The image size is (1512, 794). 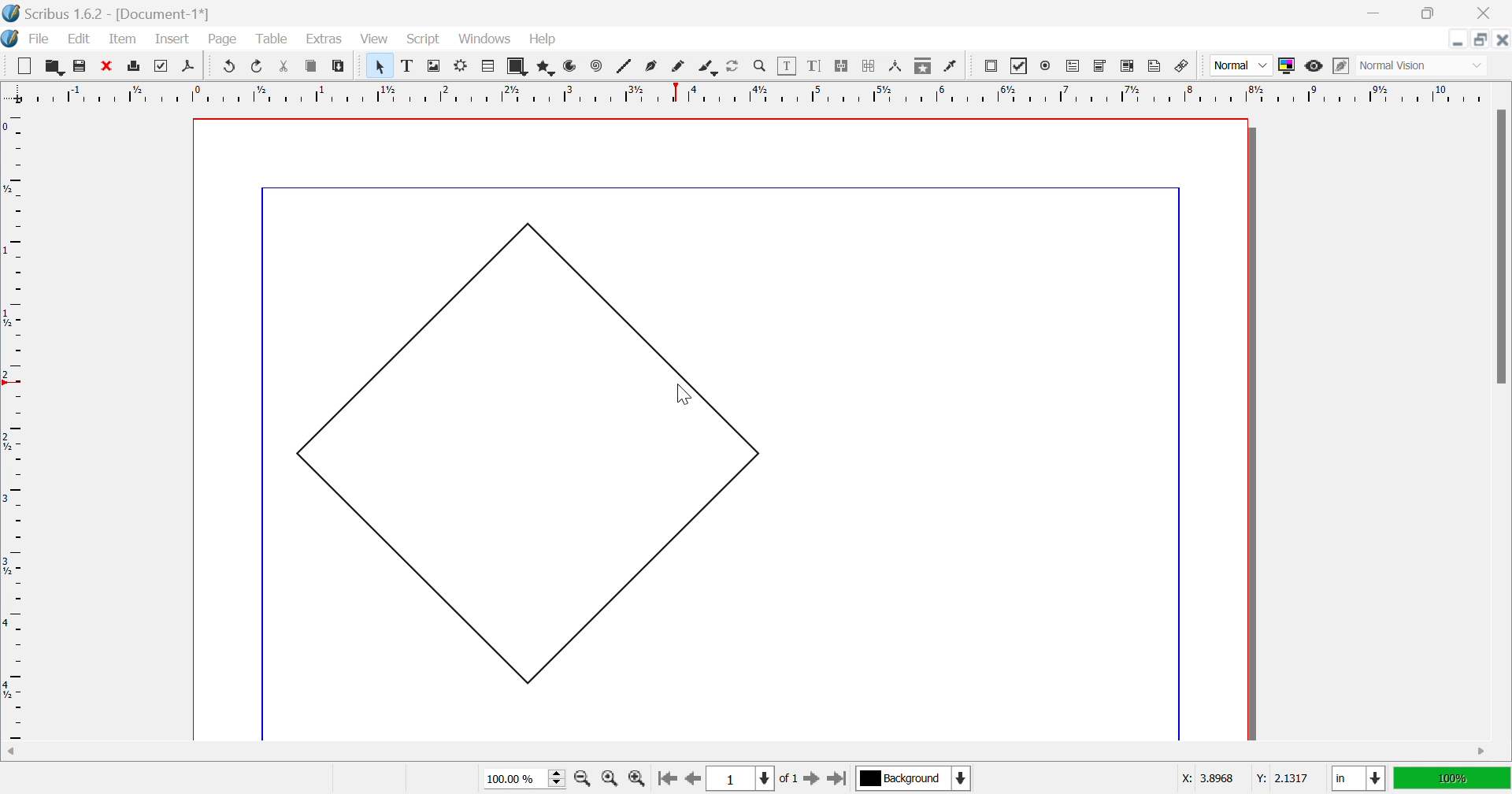 I want to click on Cut, so click(x=288, y=69).